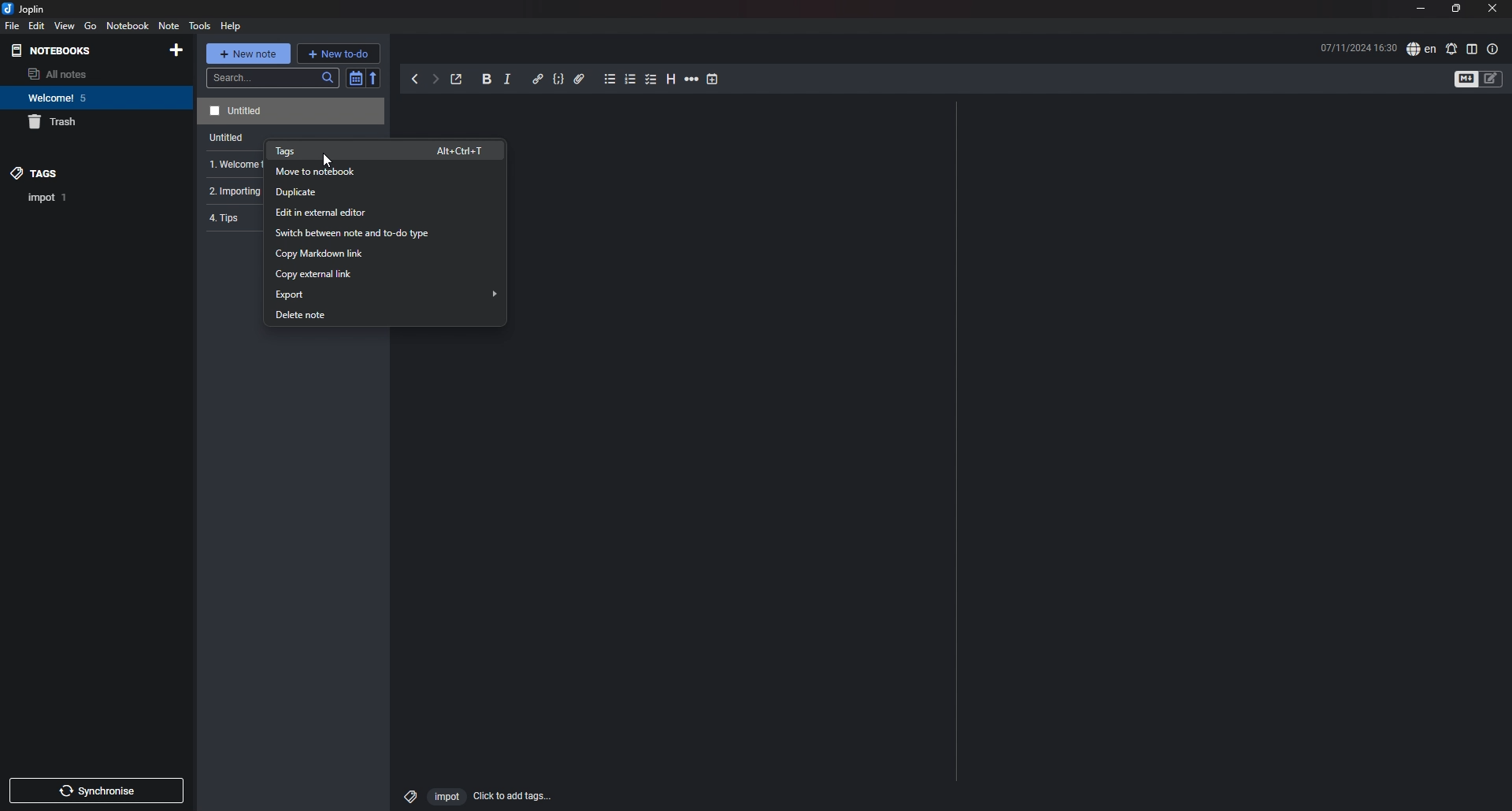 The width and height of the screenshot is (1512, 811). Describe the element at coordinates (128, 26) in the screenshot. I see `notebook` at that location.